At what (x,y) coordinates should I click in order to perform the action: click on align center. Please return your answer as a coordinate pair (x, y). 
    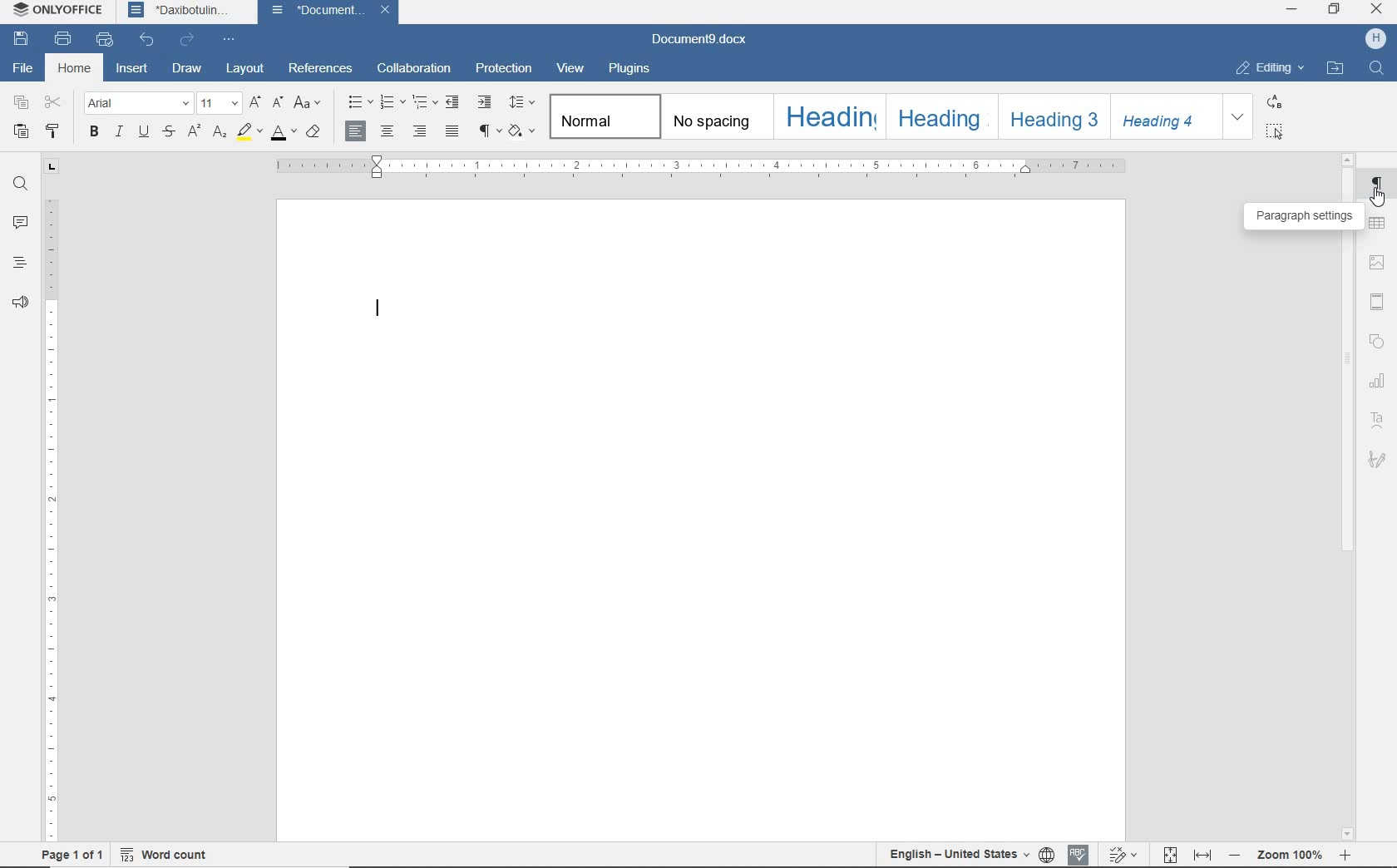
    Looking at the image, I should click on (388, 131).